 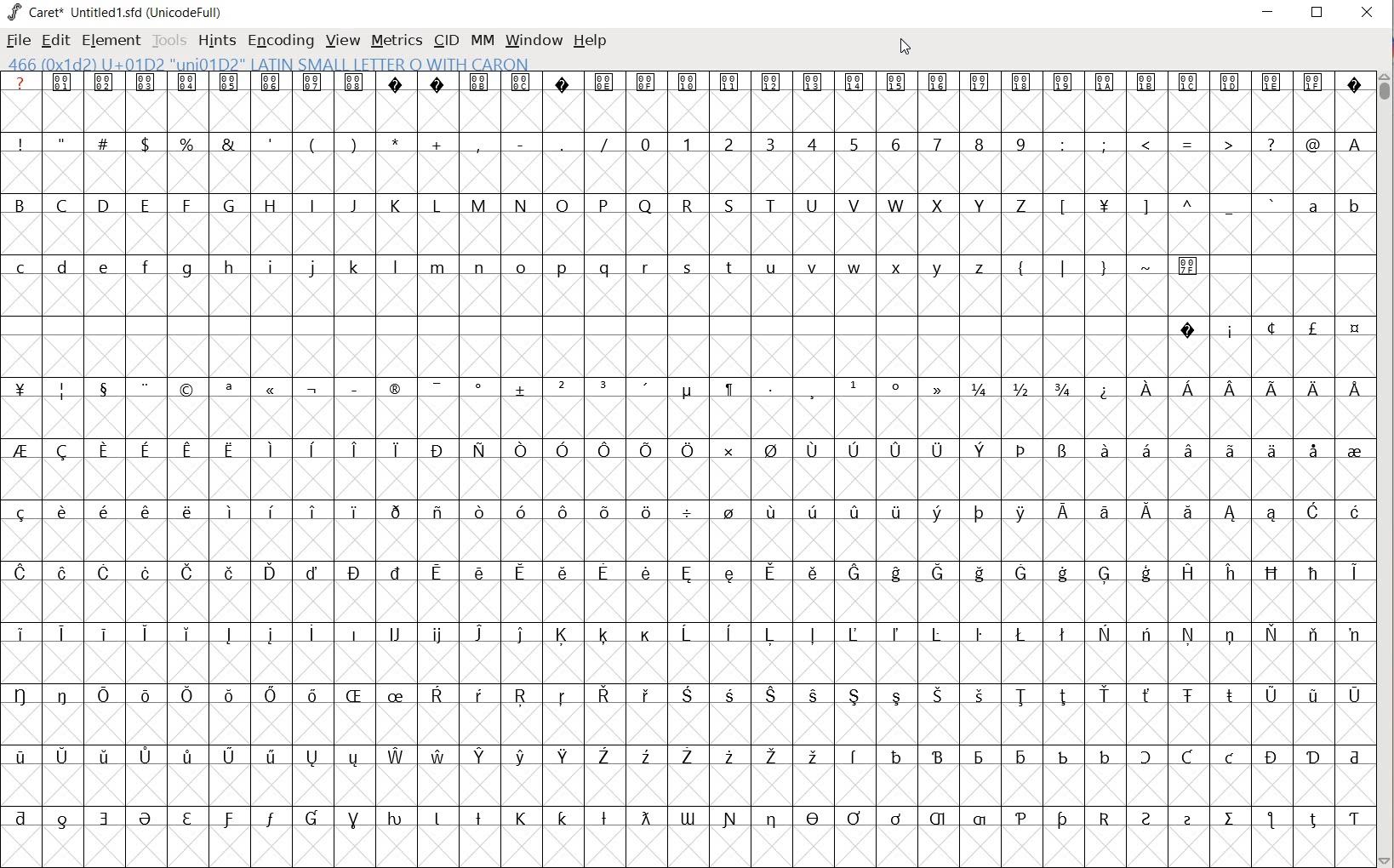 What do you see at coordinates (281, 39) in the screenshot?
I see `ENCODING` at bounding box center [281, 39].